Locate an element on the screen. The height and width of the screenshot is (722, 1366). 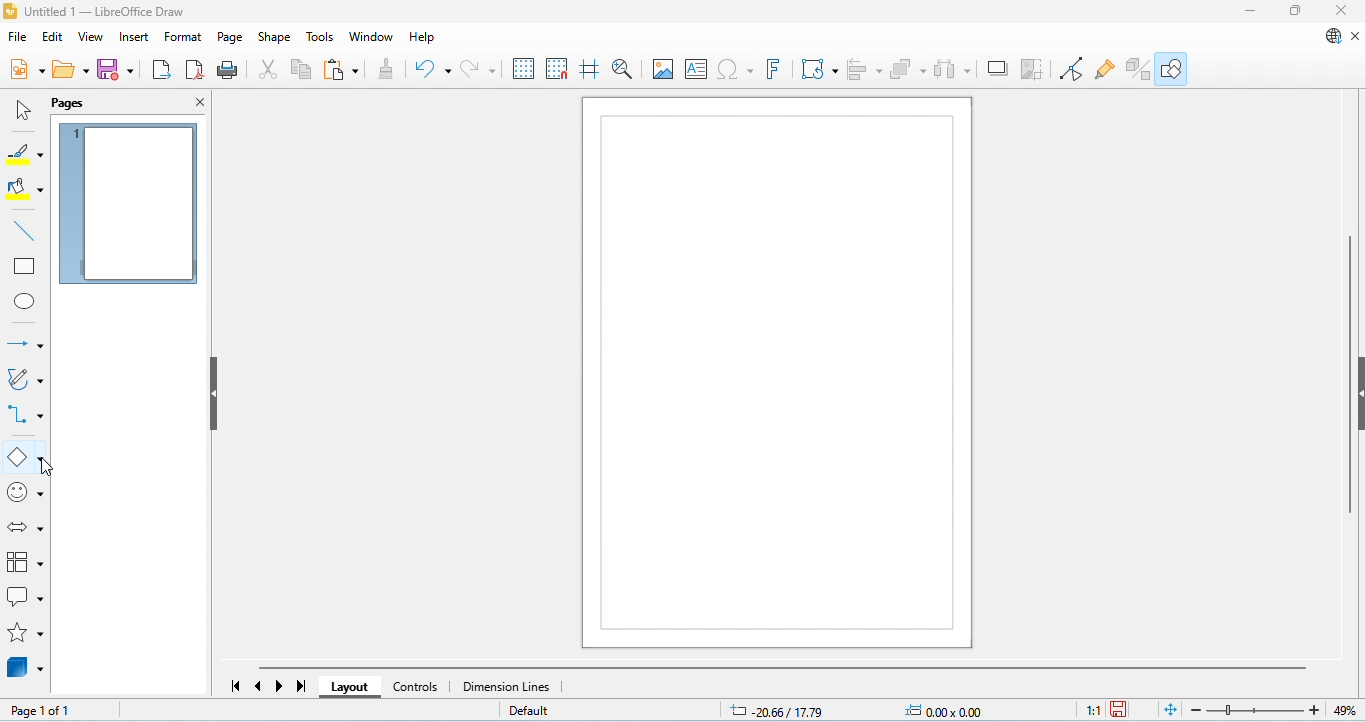
insert line is located at coordinates (24, 233).